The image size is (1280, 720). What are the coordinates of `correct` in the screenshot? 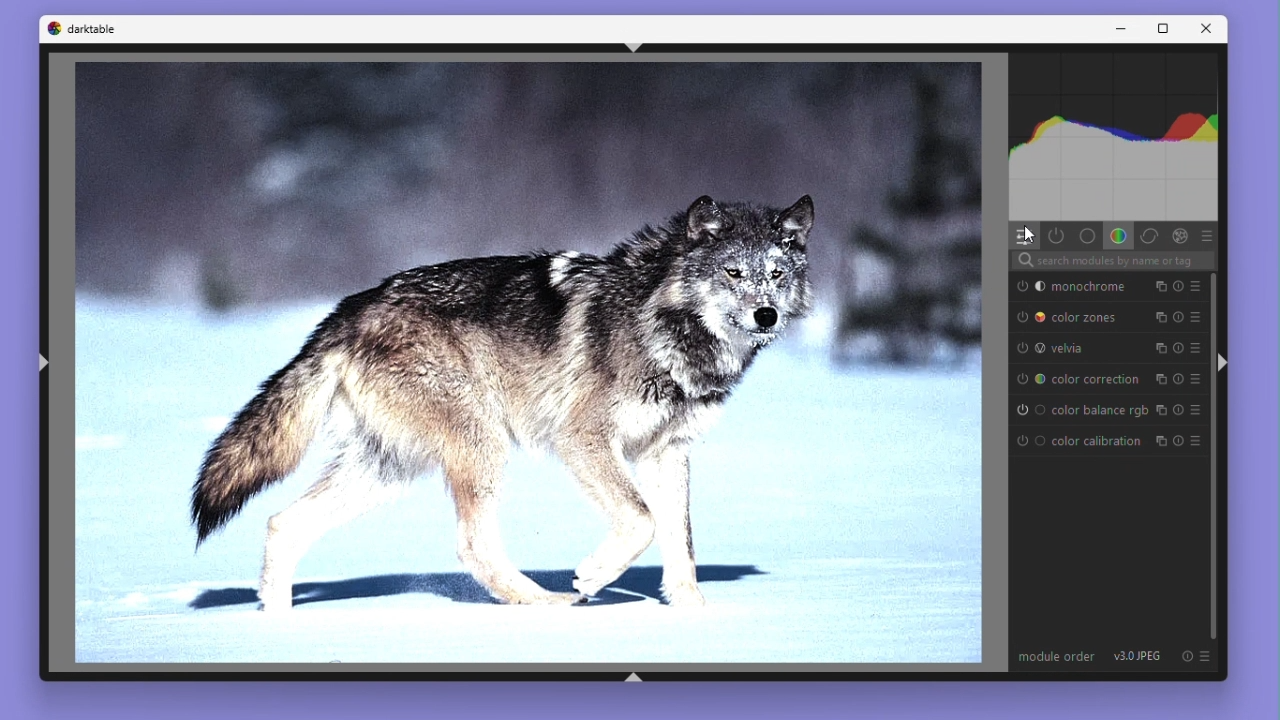 It's located at (1149, 235).